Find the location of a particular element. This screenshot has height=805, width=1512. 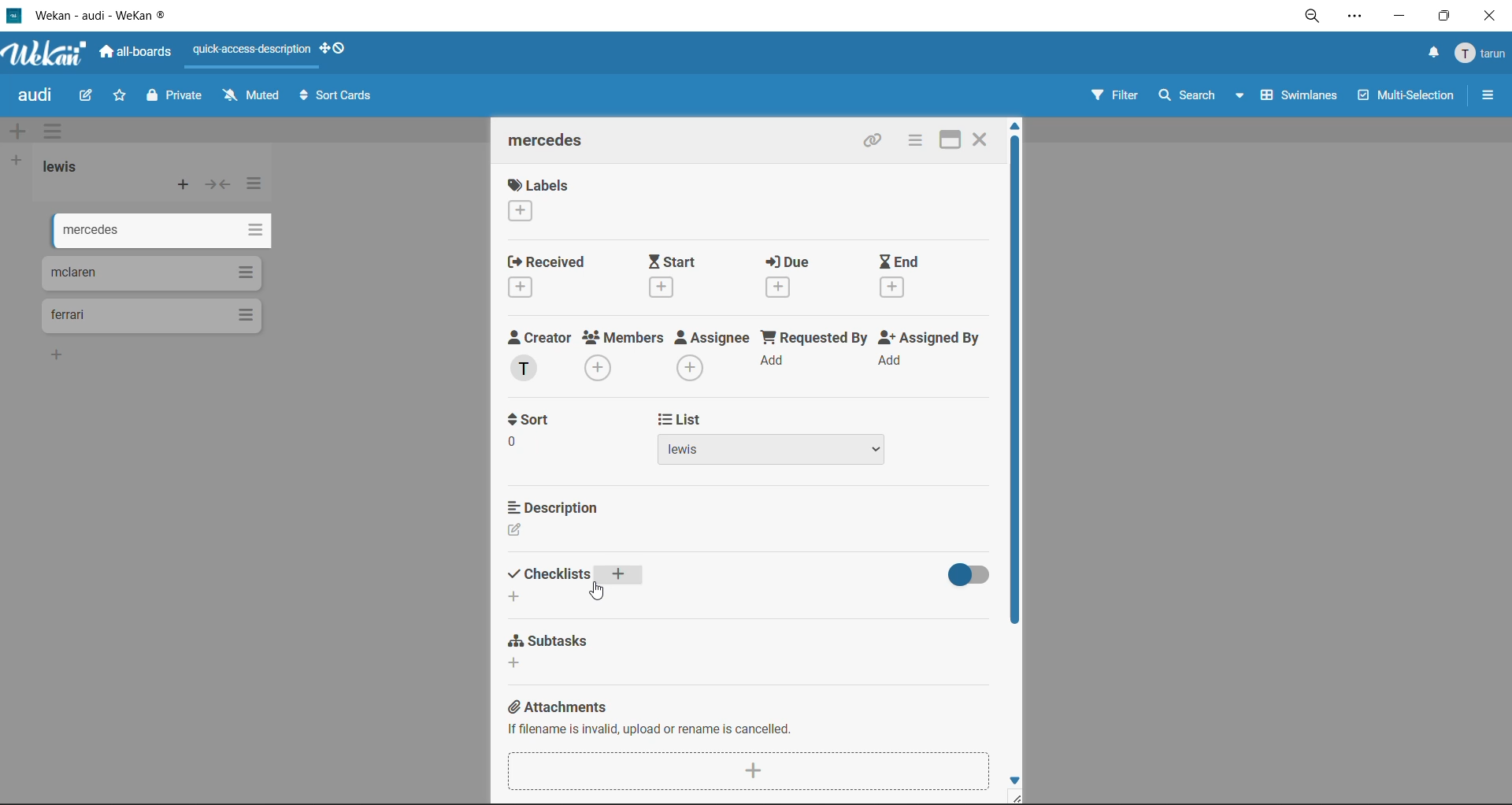

list title is located at coordinates (67, 167).